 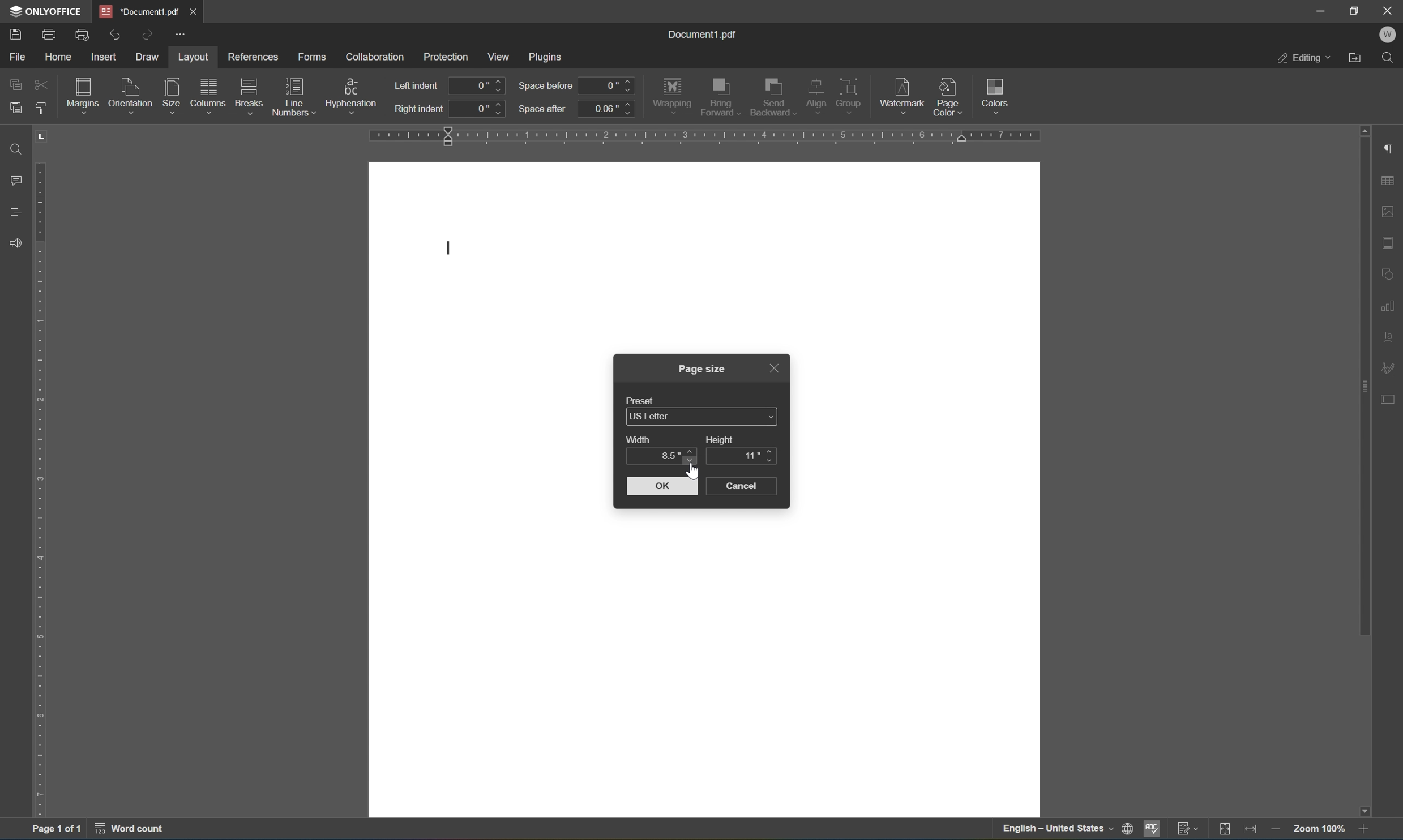 I want to click on zoom in, so click(x=1362, y=830).